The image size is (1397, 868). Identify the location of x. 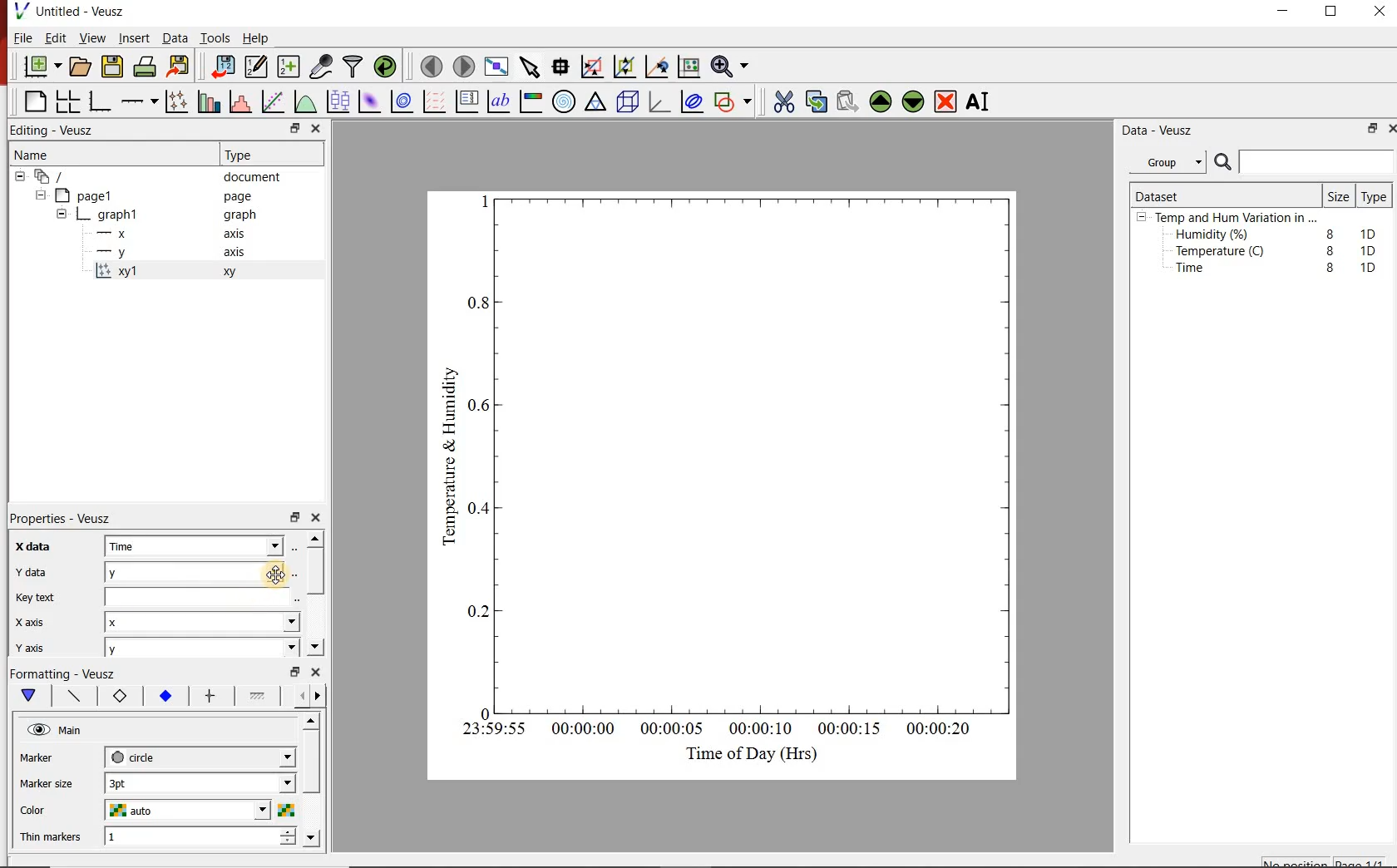
(120, 234).